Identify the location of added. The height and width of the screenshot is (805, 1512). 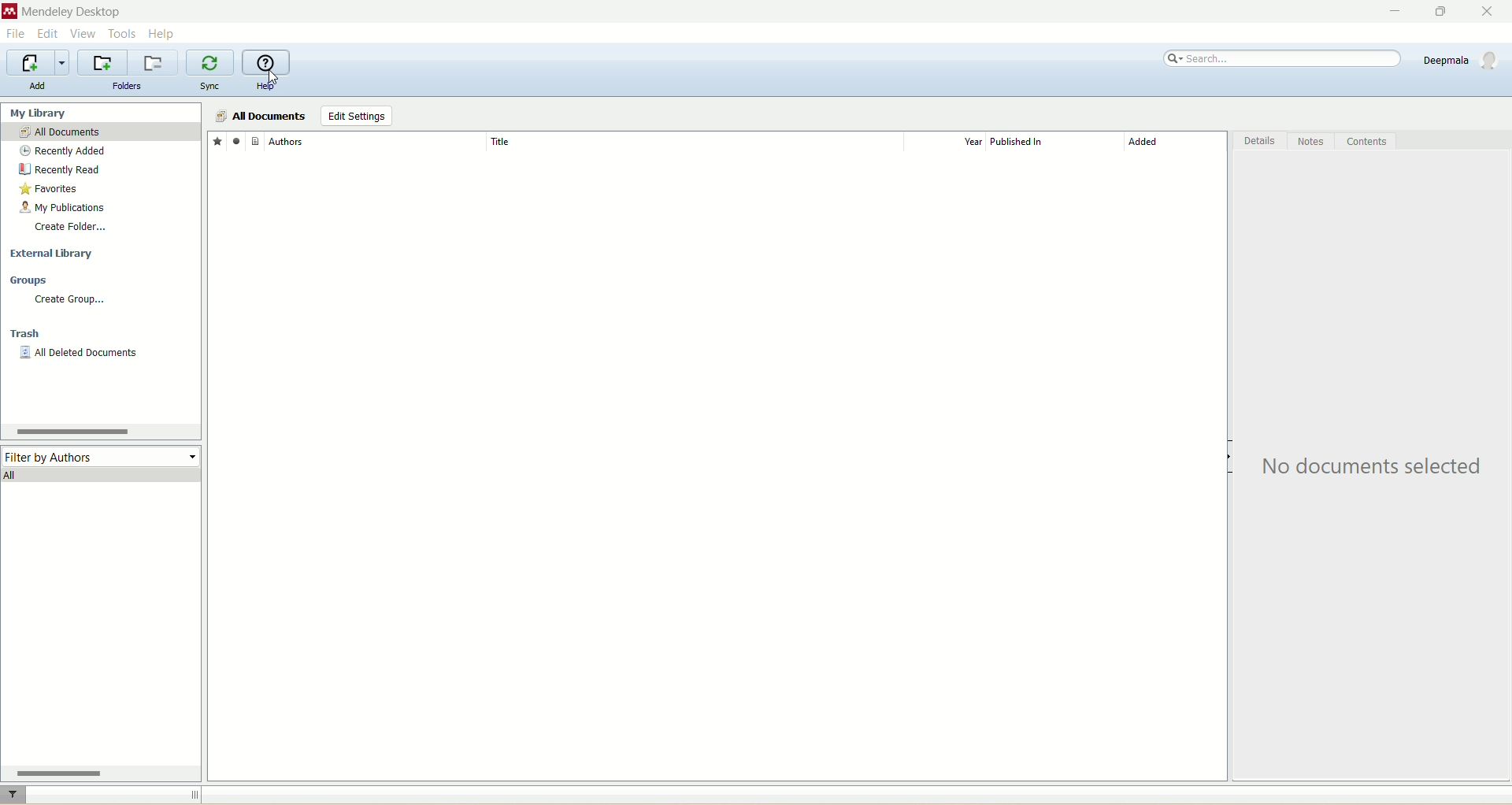
(1173, 142).